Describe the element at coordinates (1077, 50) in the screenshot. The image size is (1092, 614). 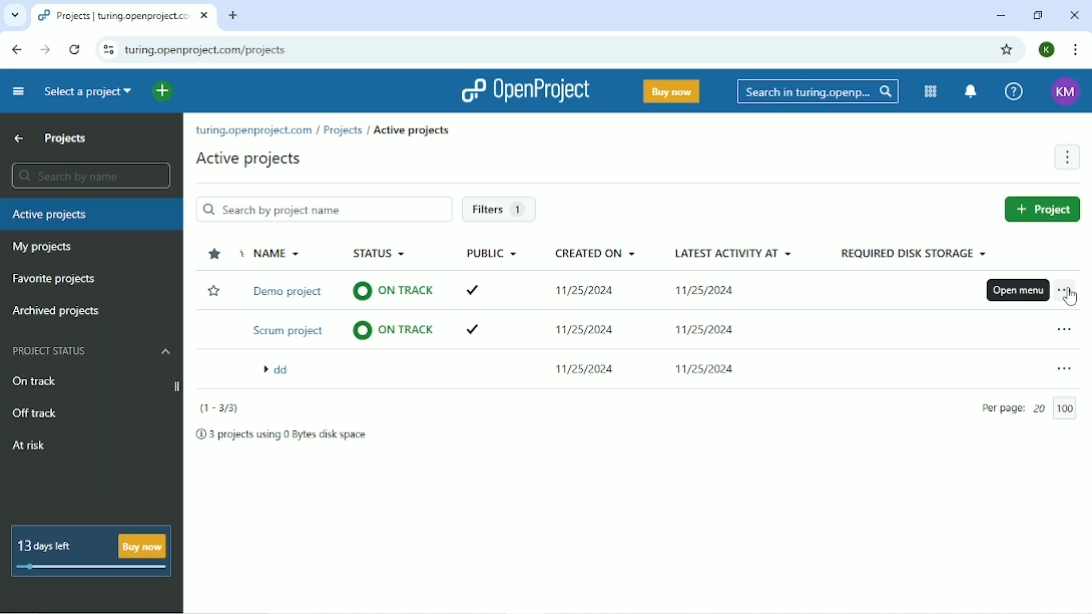
I see `Customize and control google chrome` at that location.